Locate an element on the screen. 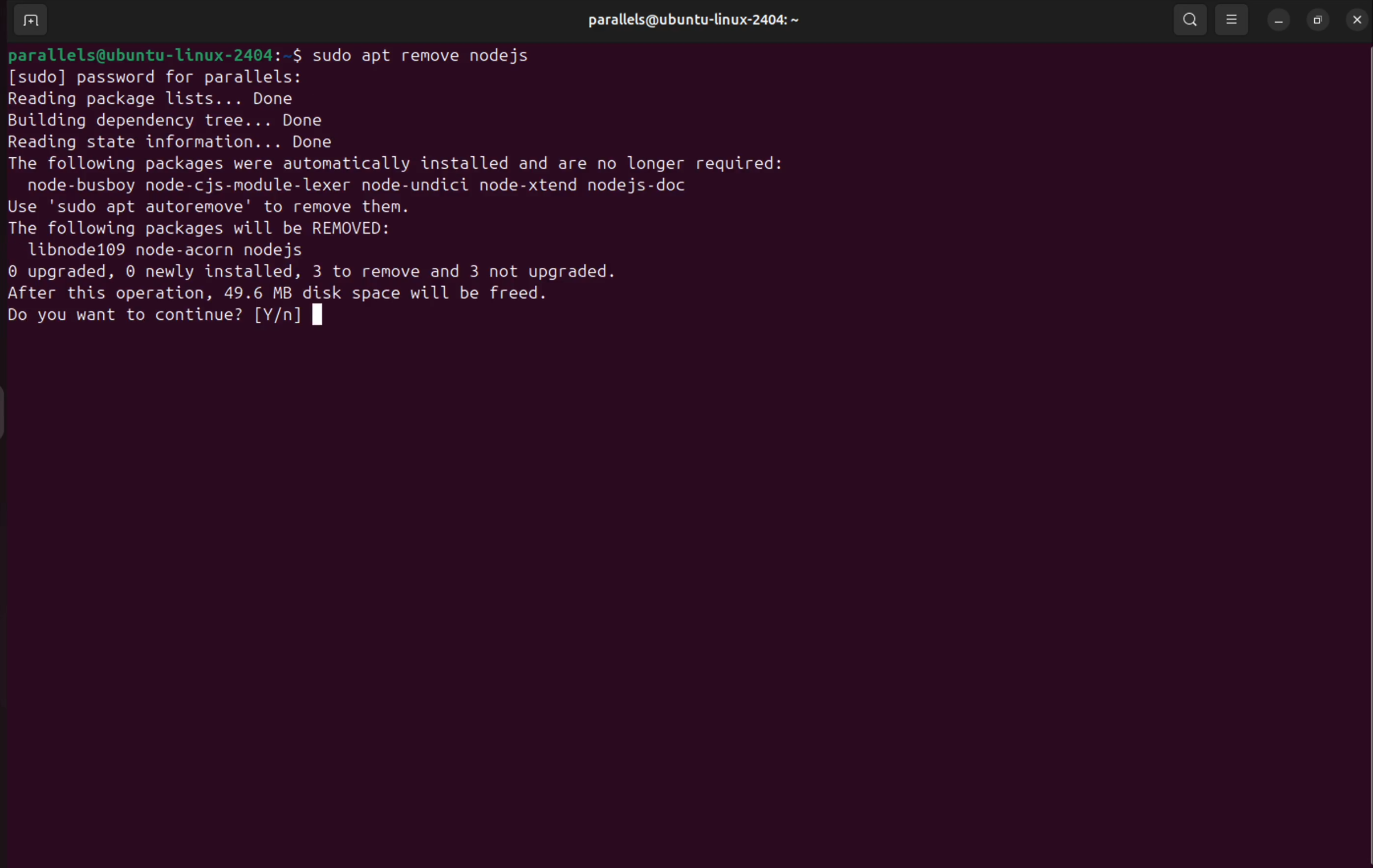 The height and width of the screenshot is (868, 1373). close is located at coordinates (1355, 19).